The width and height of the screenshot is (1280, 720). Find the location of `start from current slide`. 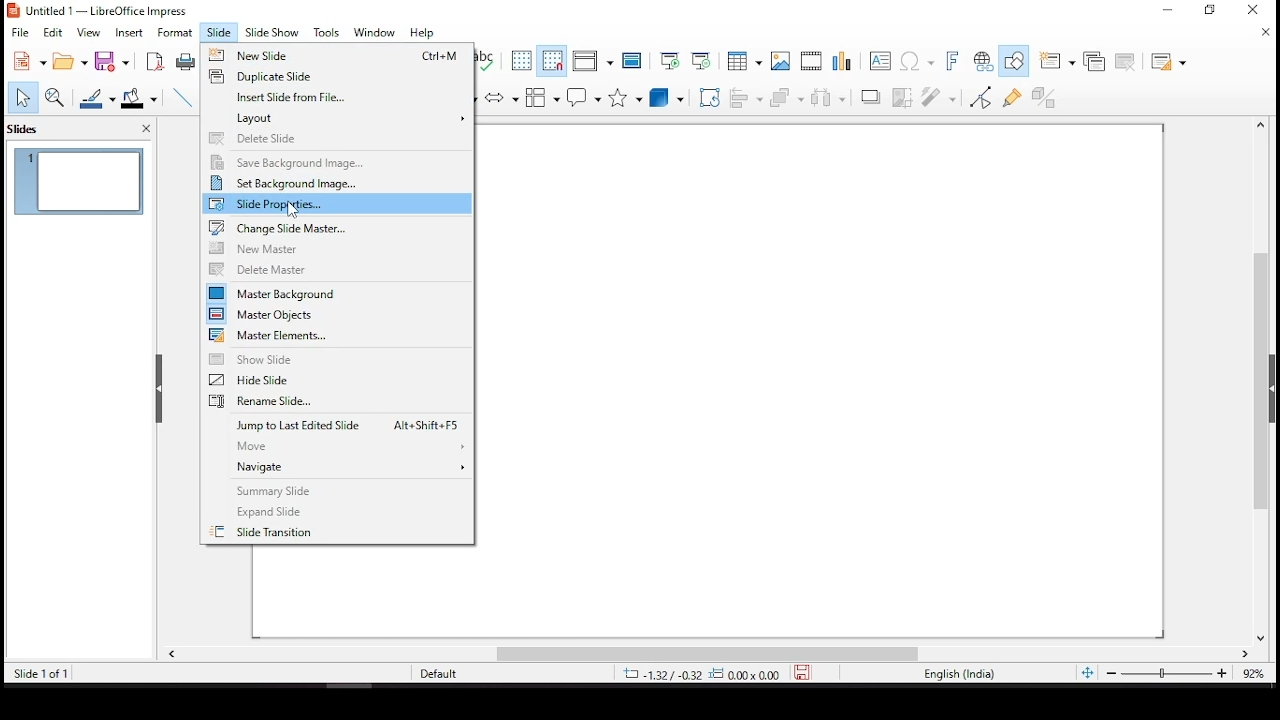

start from current slide is located at coordinates (700, 60).